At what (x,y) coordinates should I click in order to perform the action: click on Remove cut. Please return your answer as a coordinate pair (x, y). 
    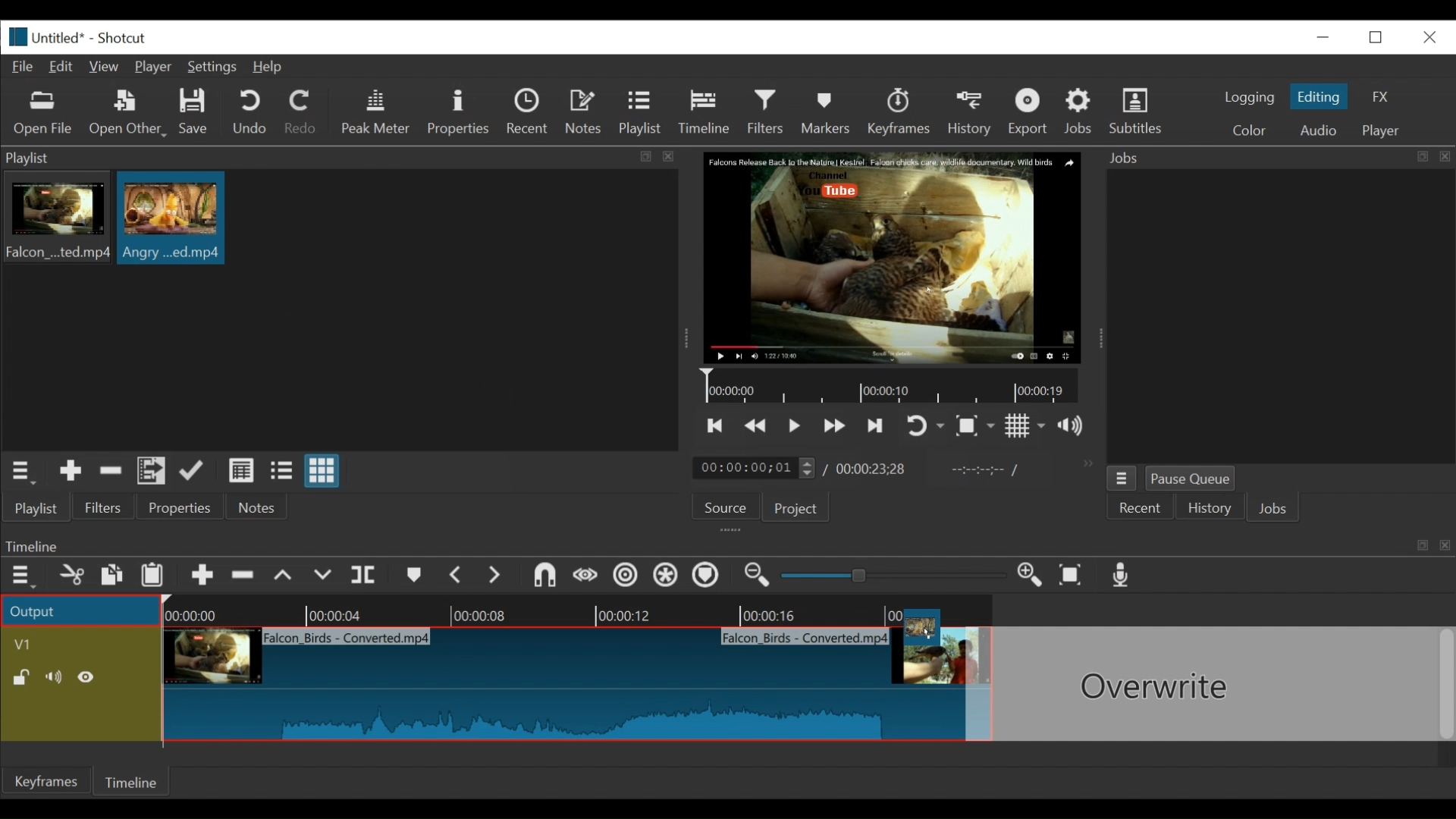
    Looking at the image, I should click on (245, 578).